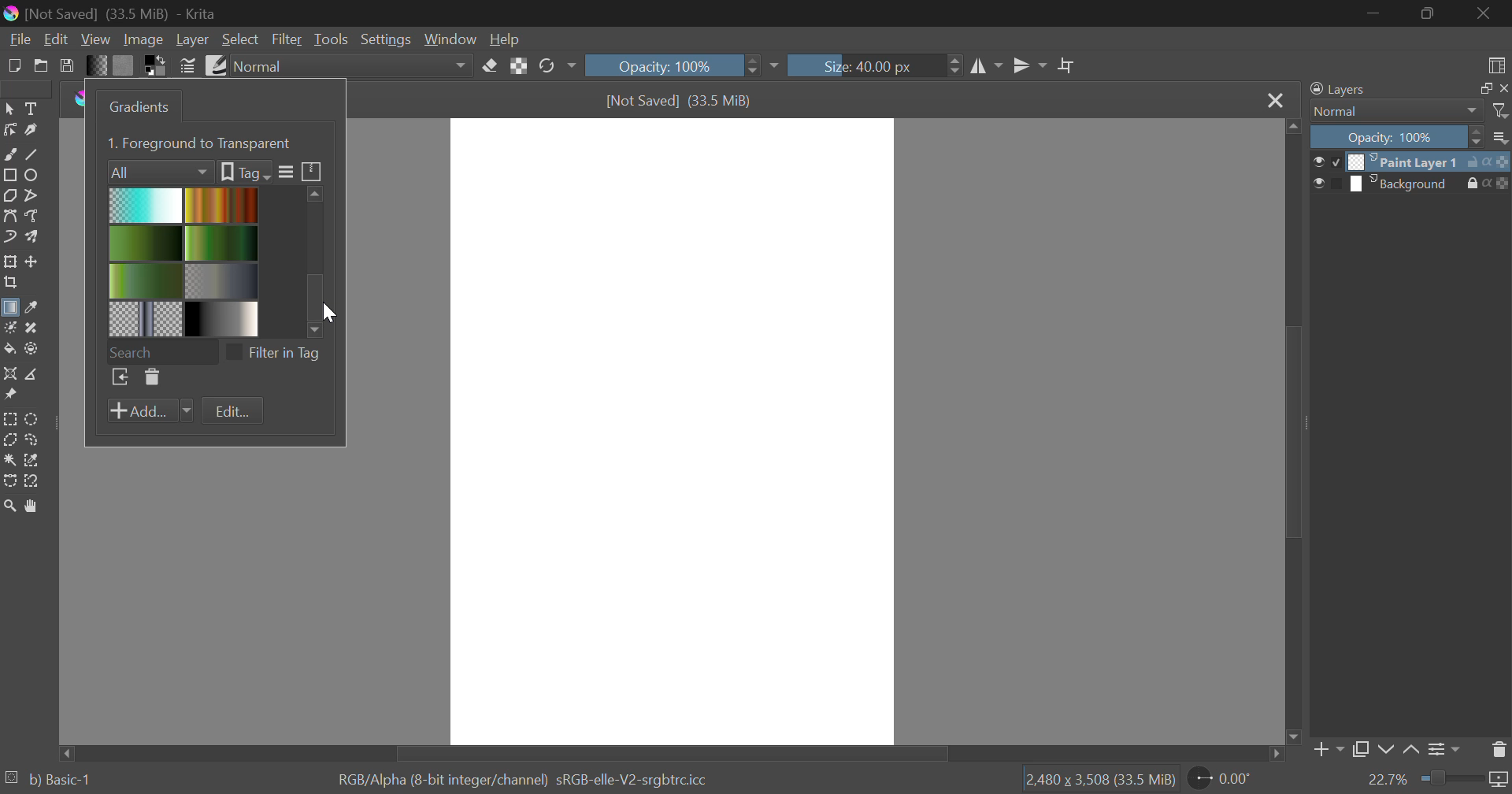 This screenshot has width=1512, height=794. I want to click on Copy Layer, so click(1361, 752).